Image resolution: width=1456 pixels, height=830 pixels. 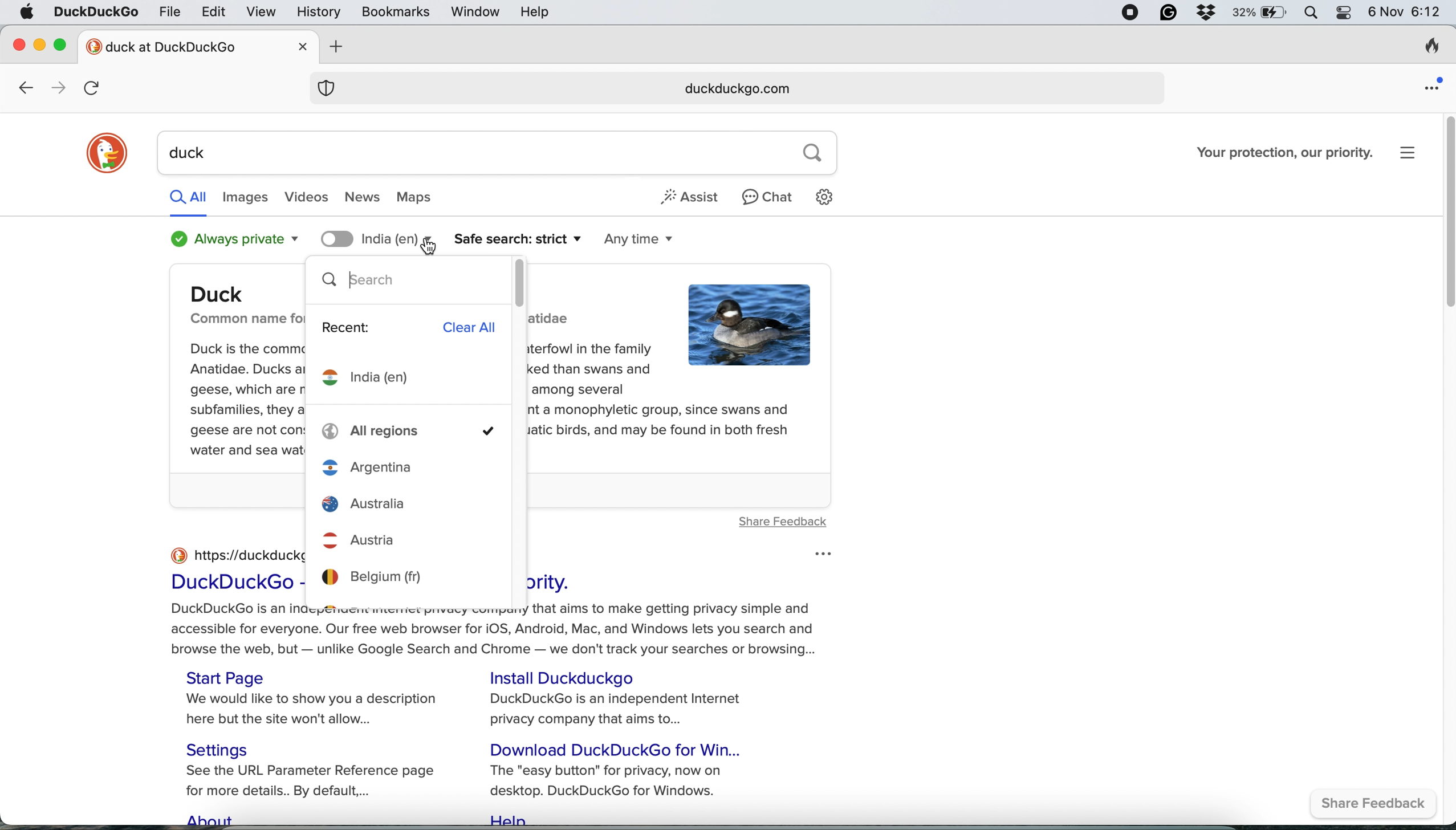 What do you see at coordinates (612, 780) in the screenshot?
I see `The "easy button" for privacy, now on
desktop. DuckDuckGo for Windows.` at bounding box center [612, 780].